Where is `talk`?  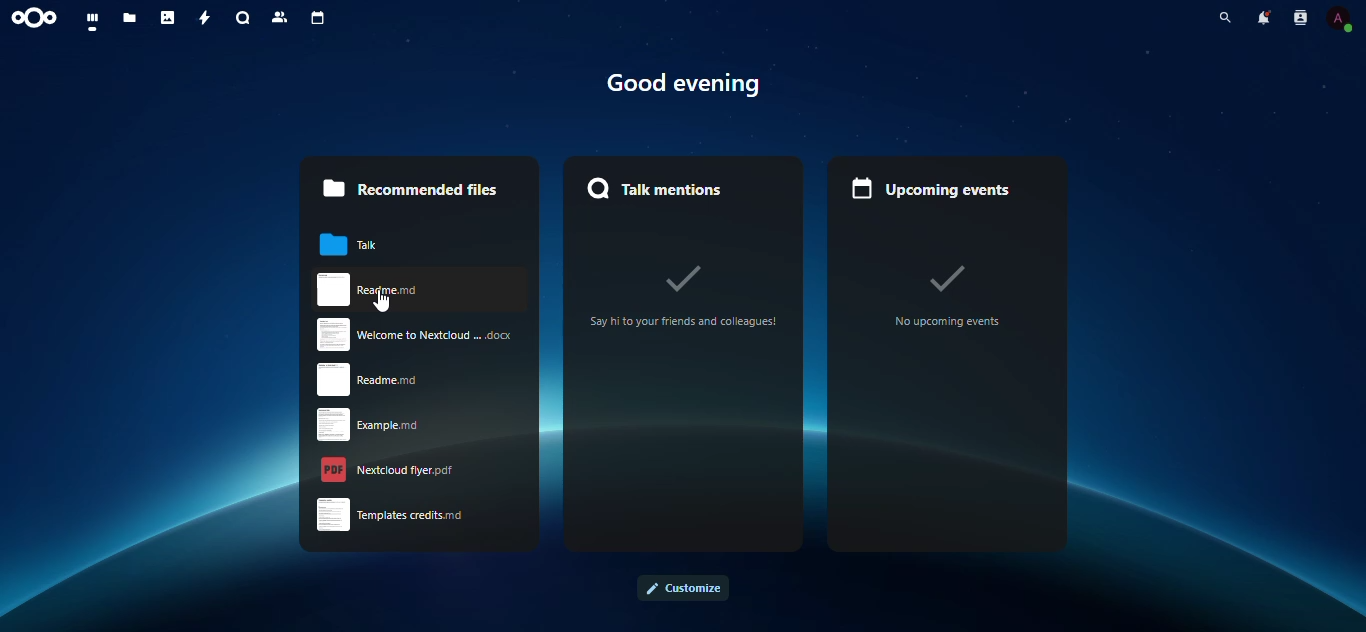 talk is located at coordinates (243, 18).